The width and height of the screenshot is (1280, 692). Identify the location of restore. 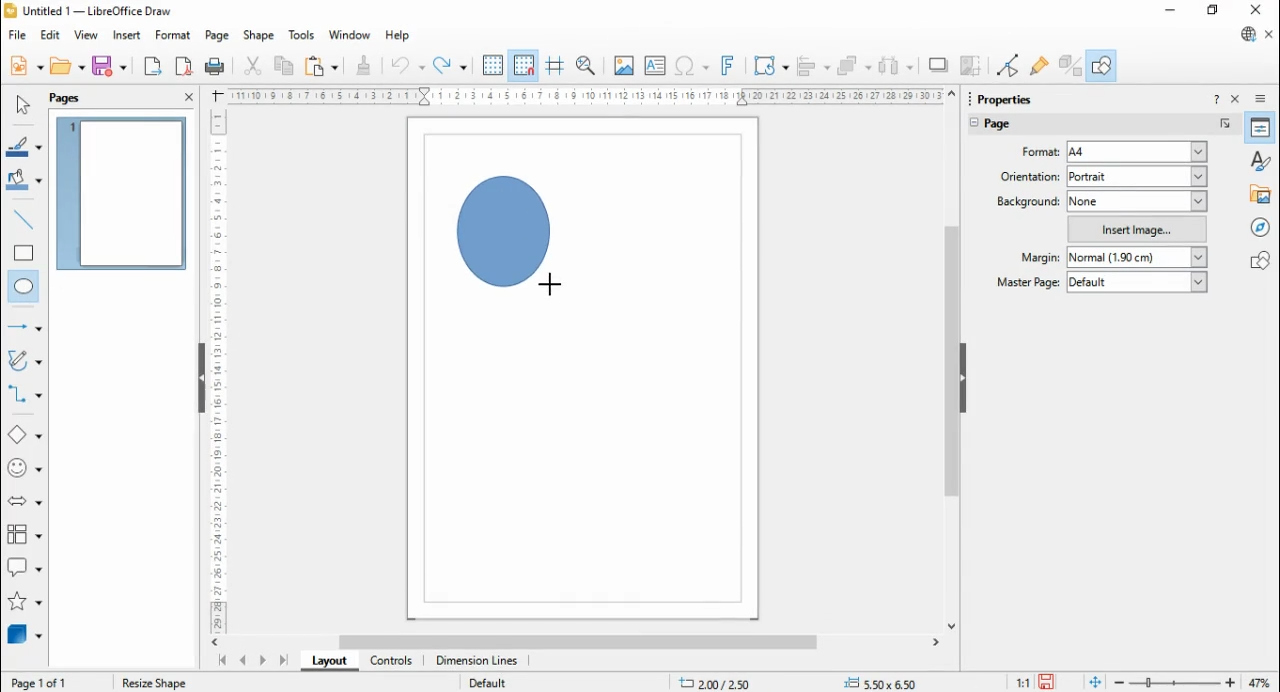
(1214, 11).